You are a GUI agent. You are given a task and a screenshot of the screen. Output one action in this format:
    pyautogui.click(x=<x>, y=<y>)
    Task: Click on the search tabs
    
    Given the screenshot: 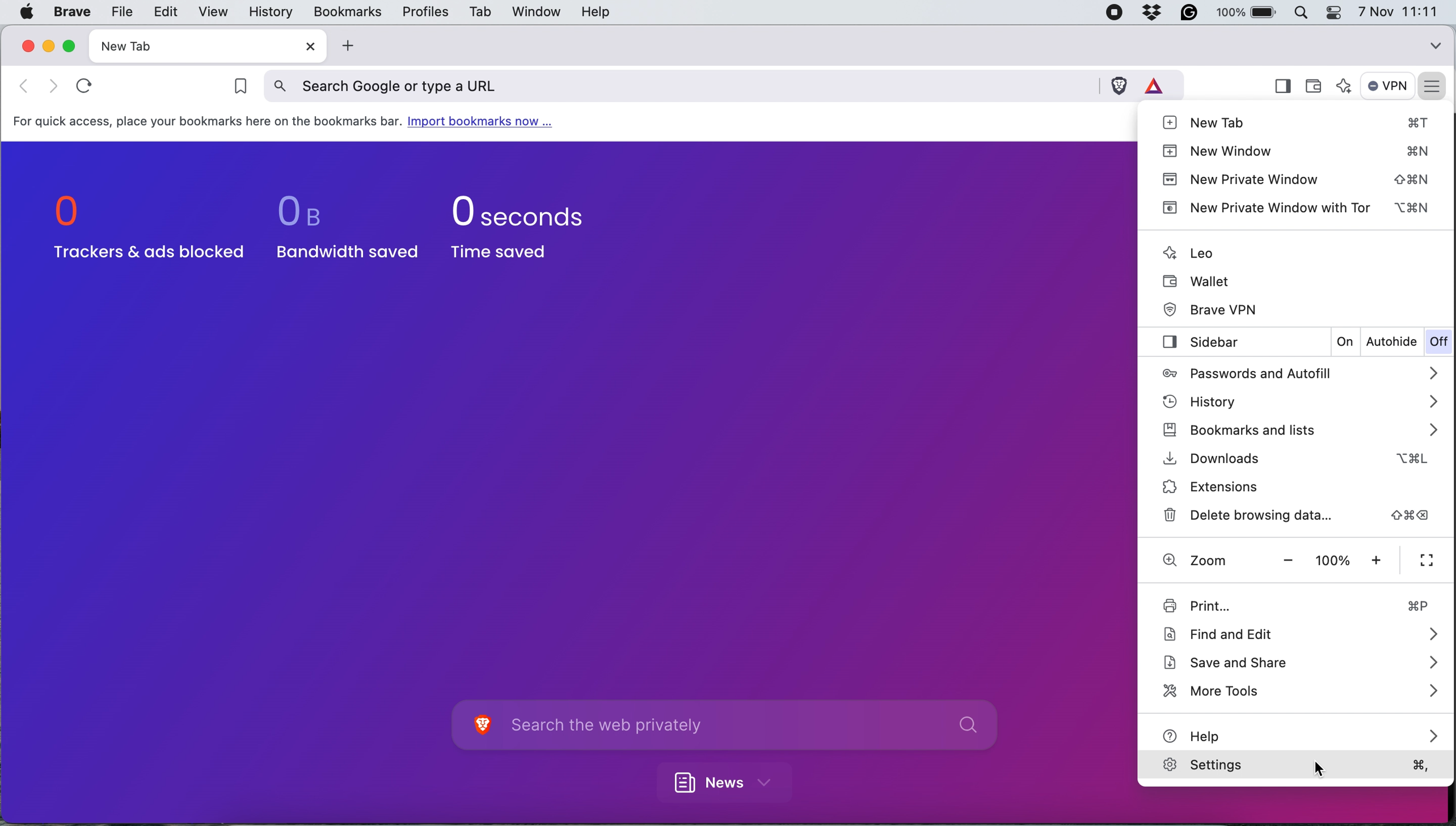 What is the action you would take?
    pyautogui.click(x=1436, y=43)
    